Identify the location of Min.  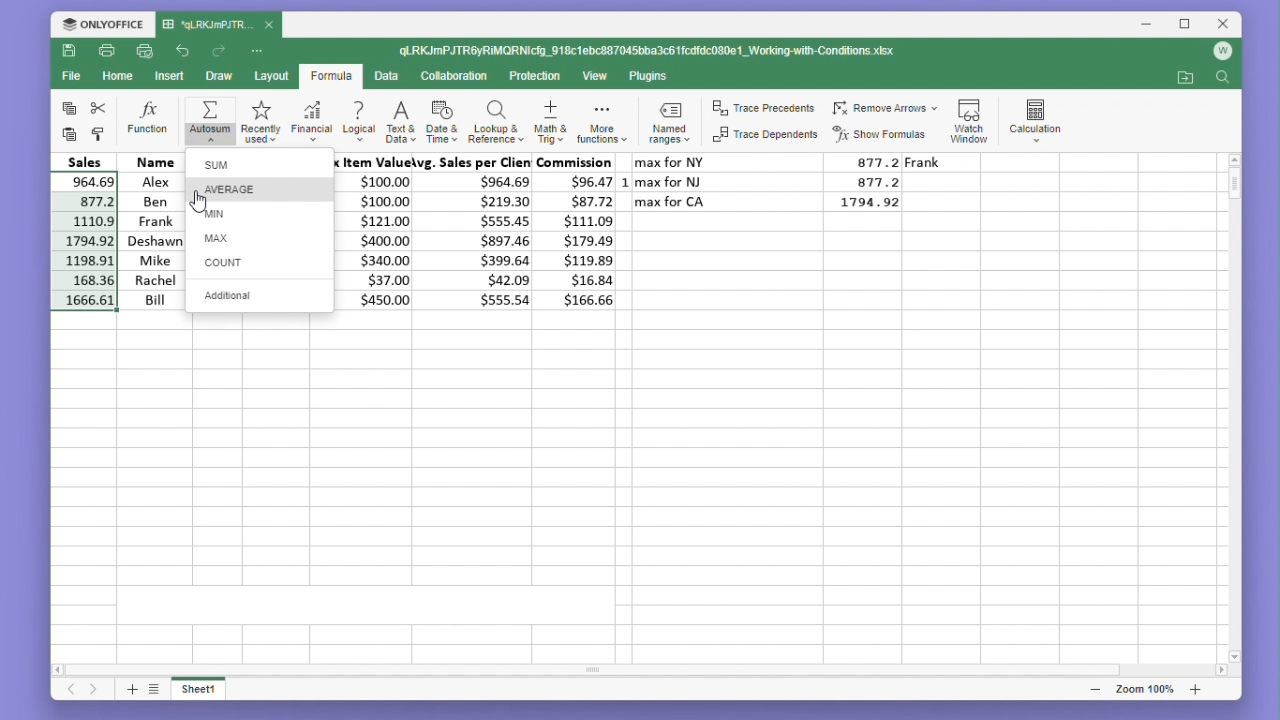
(260, 214).